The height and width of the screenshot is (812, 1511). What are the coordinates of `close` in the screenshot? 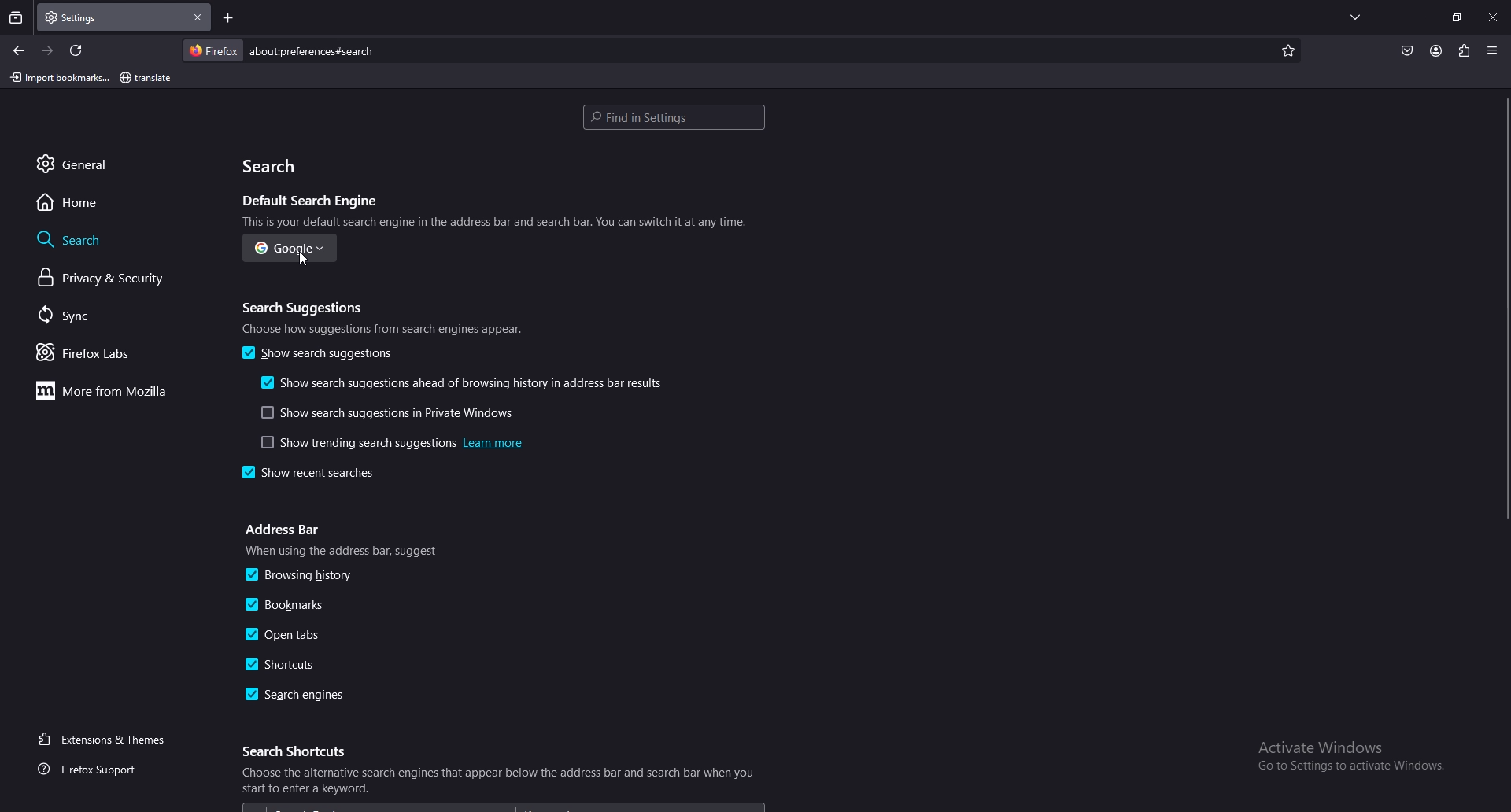 It's located at (1492, 18).